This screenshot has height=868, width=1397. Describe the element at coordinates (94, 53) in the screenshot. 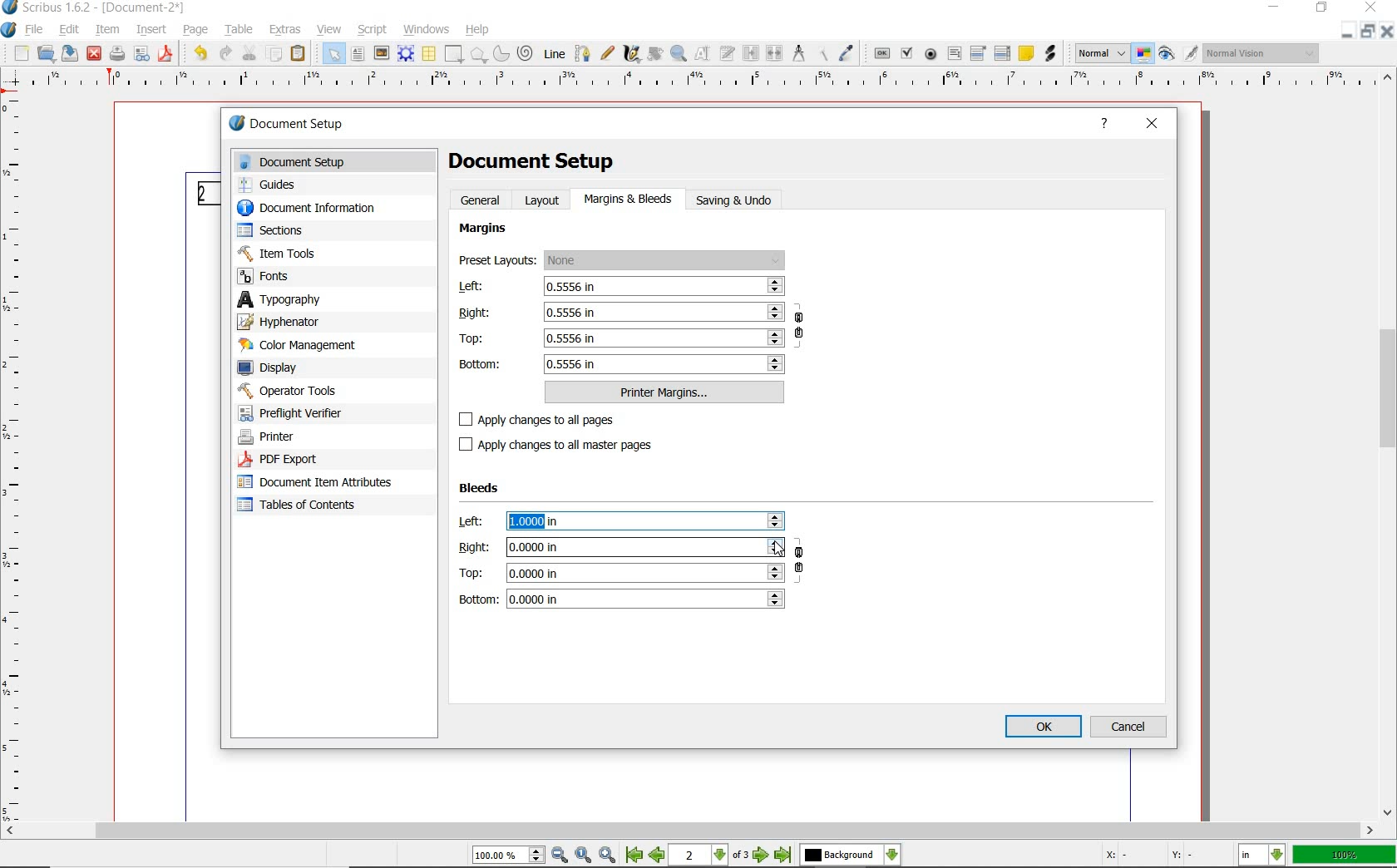

I see `close` at that location.